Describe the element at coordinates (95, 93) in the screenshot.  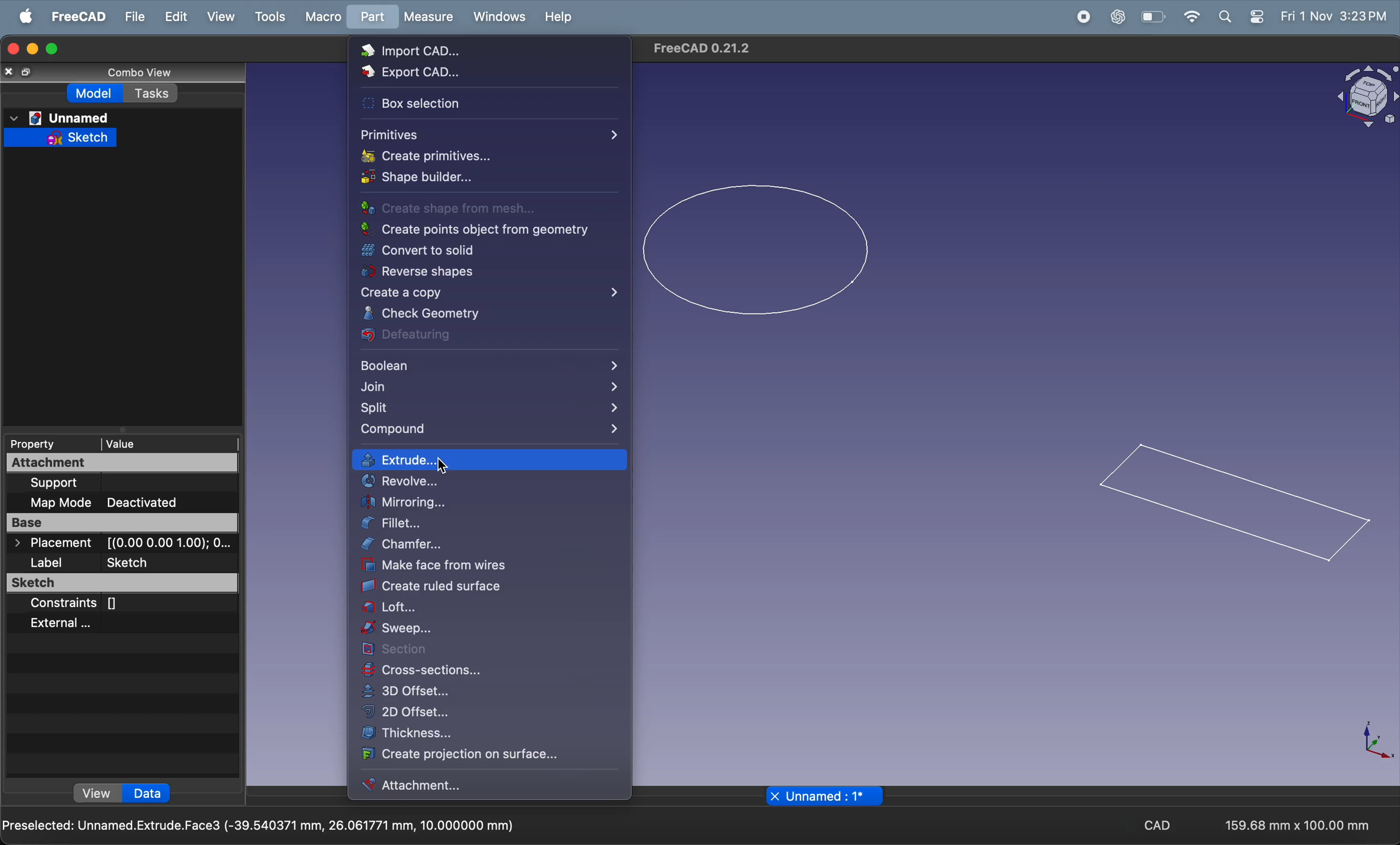
I see `Model` at that location.